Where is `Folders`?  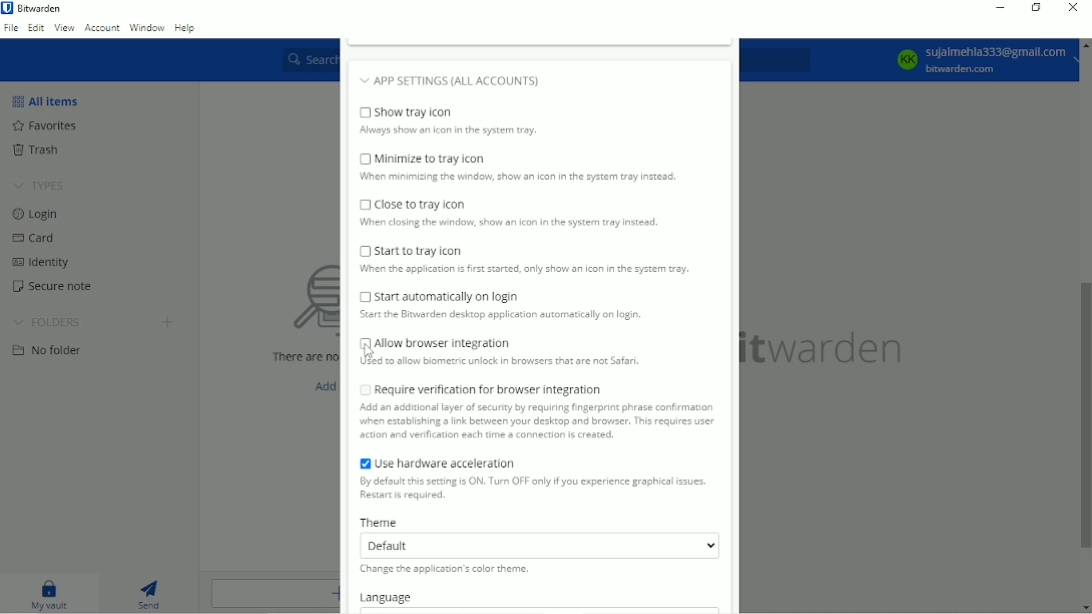
Folders is located at coordinates (49, 323).